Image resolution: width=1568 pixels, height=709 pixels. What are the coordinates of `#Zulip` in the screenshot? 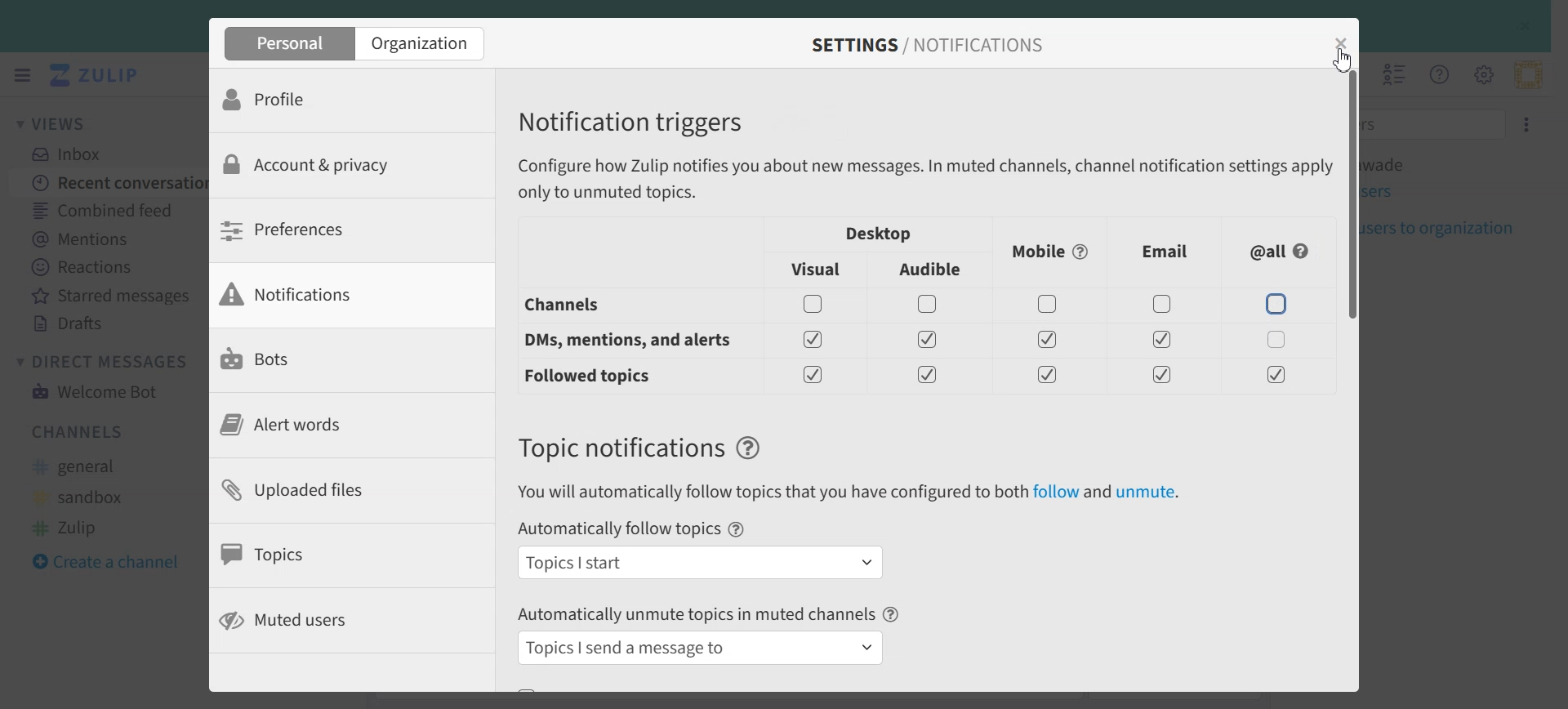 It's located at (79, 526).